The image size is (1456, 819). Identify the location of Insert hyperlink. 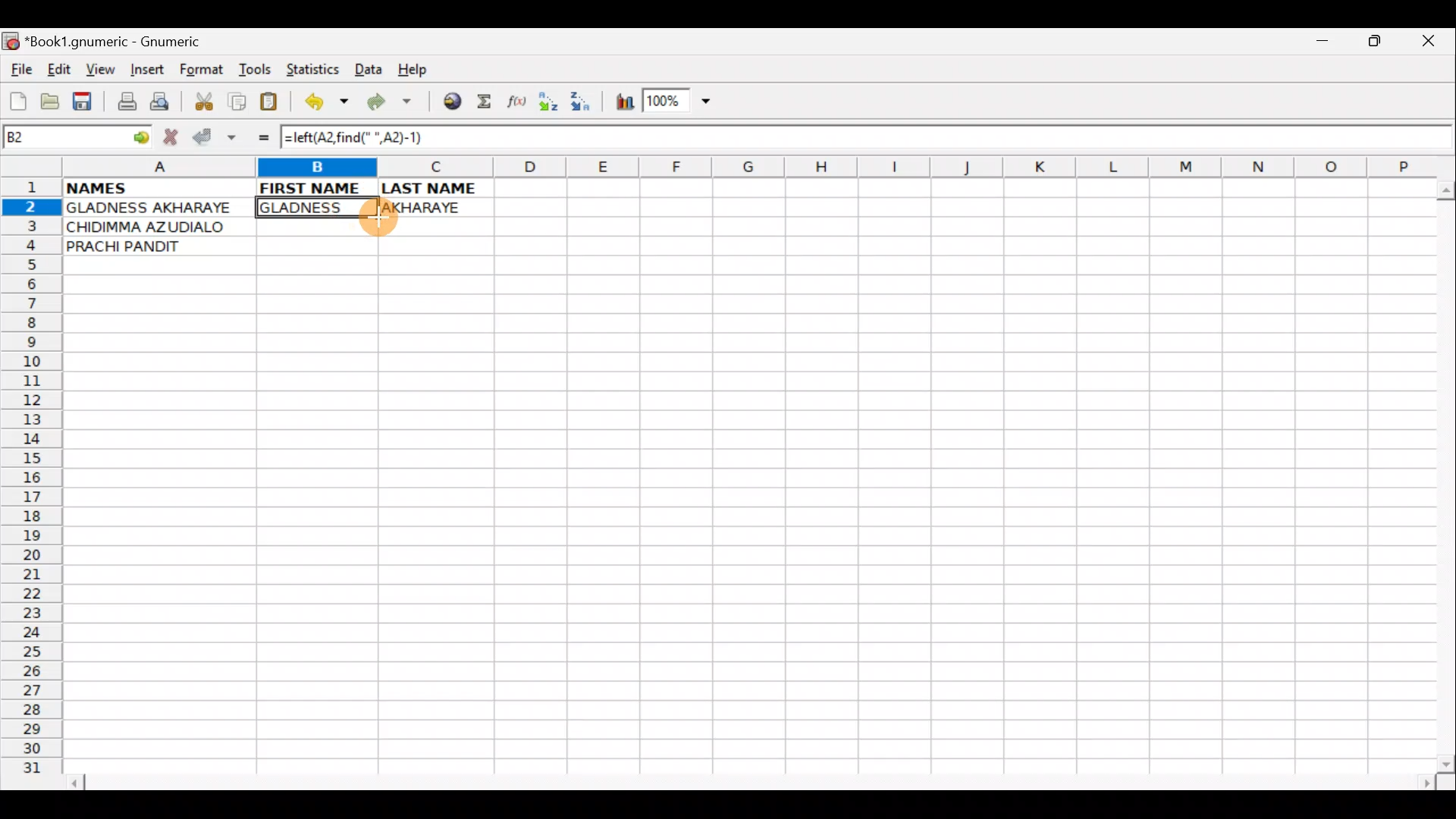
(450, 102).